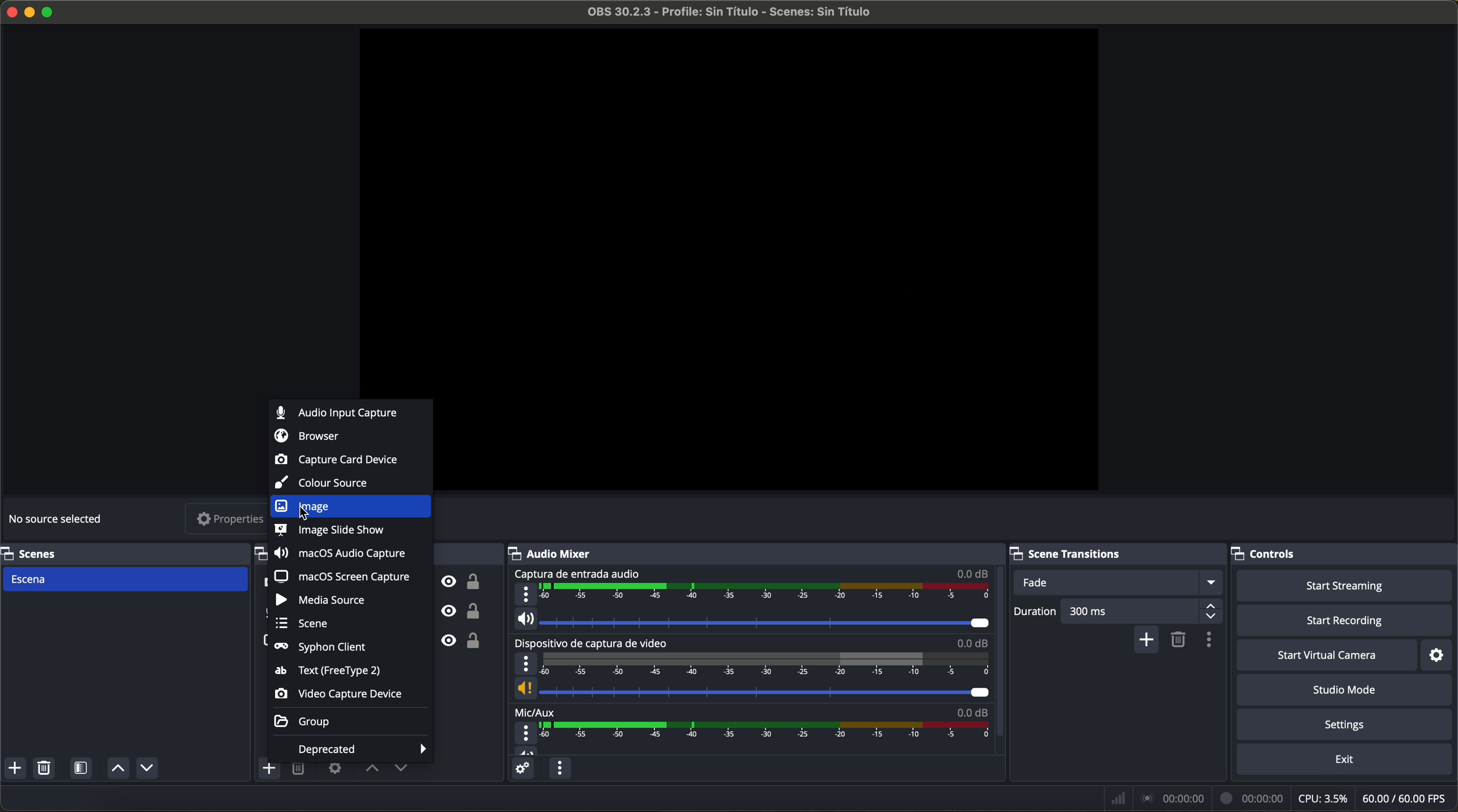 This screenshot has width=1458, height=812. Describe the element at coordinates (766, 664) in the screenshot. I see `timeline` at that location.